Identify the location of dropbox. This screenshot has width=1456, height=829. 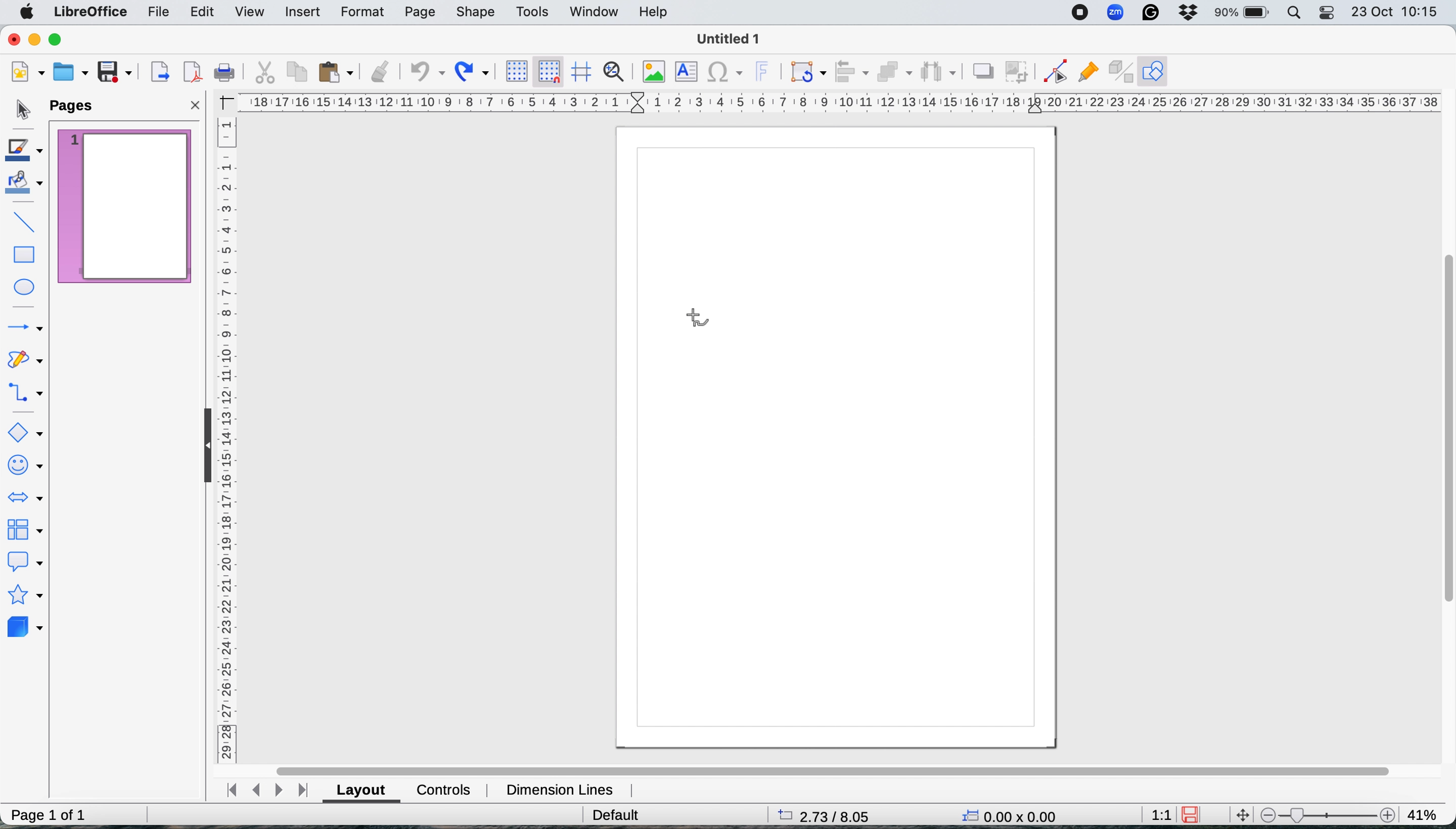
(1191, 13).